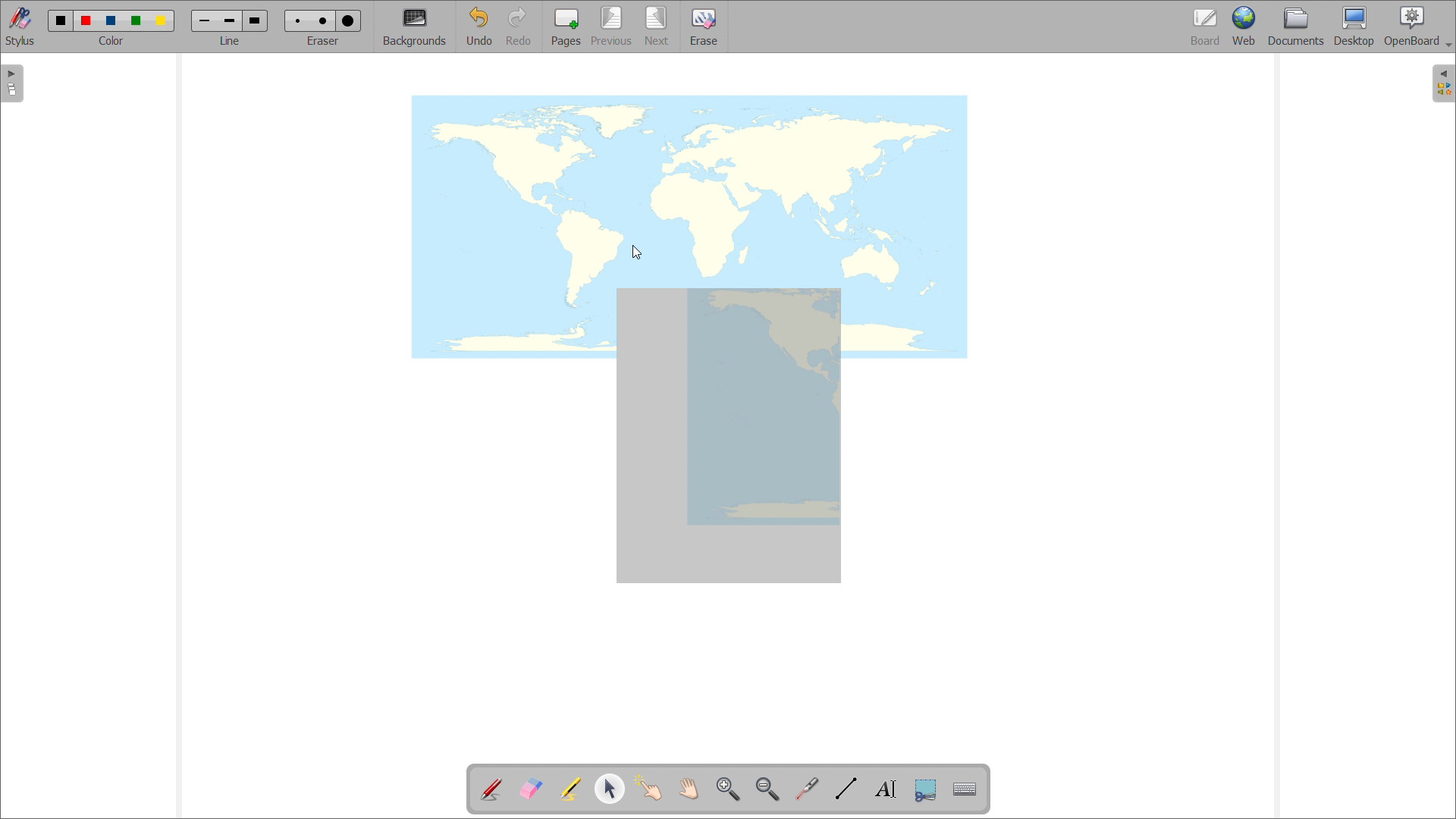 Image resolution: width=1456 pixels, height=819 pixels. I want to click on black, so click(61, 19).